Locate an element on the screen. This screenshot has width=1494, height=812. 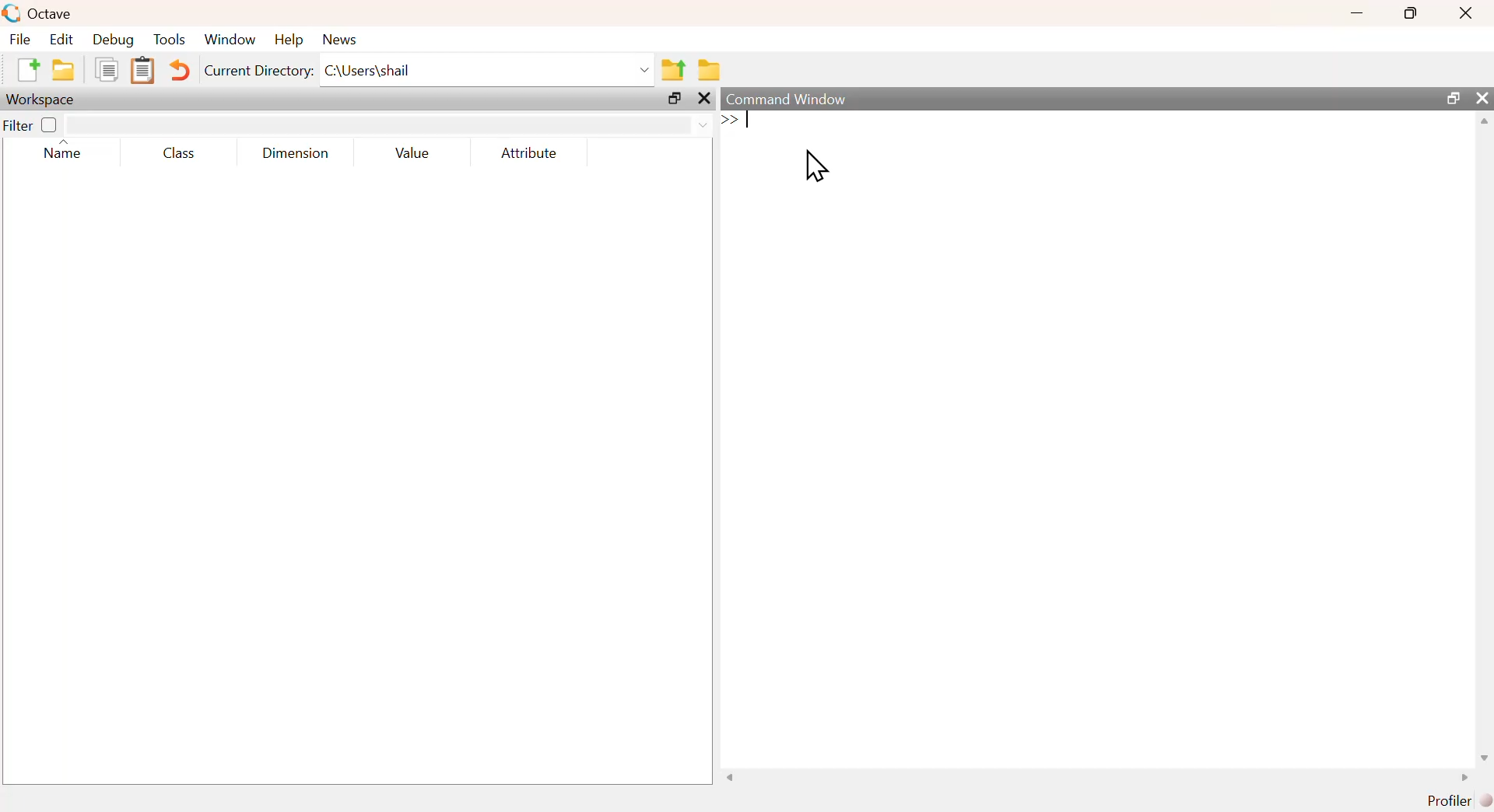
C:\Users\shail  is located at coordinates (488, 69).